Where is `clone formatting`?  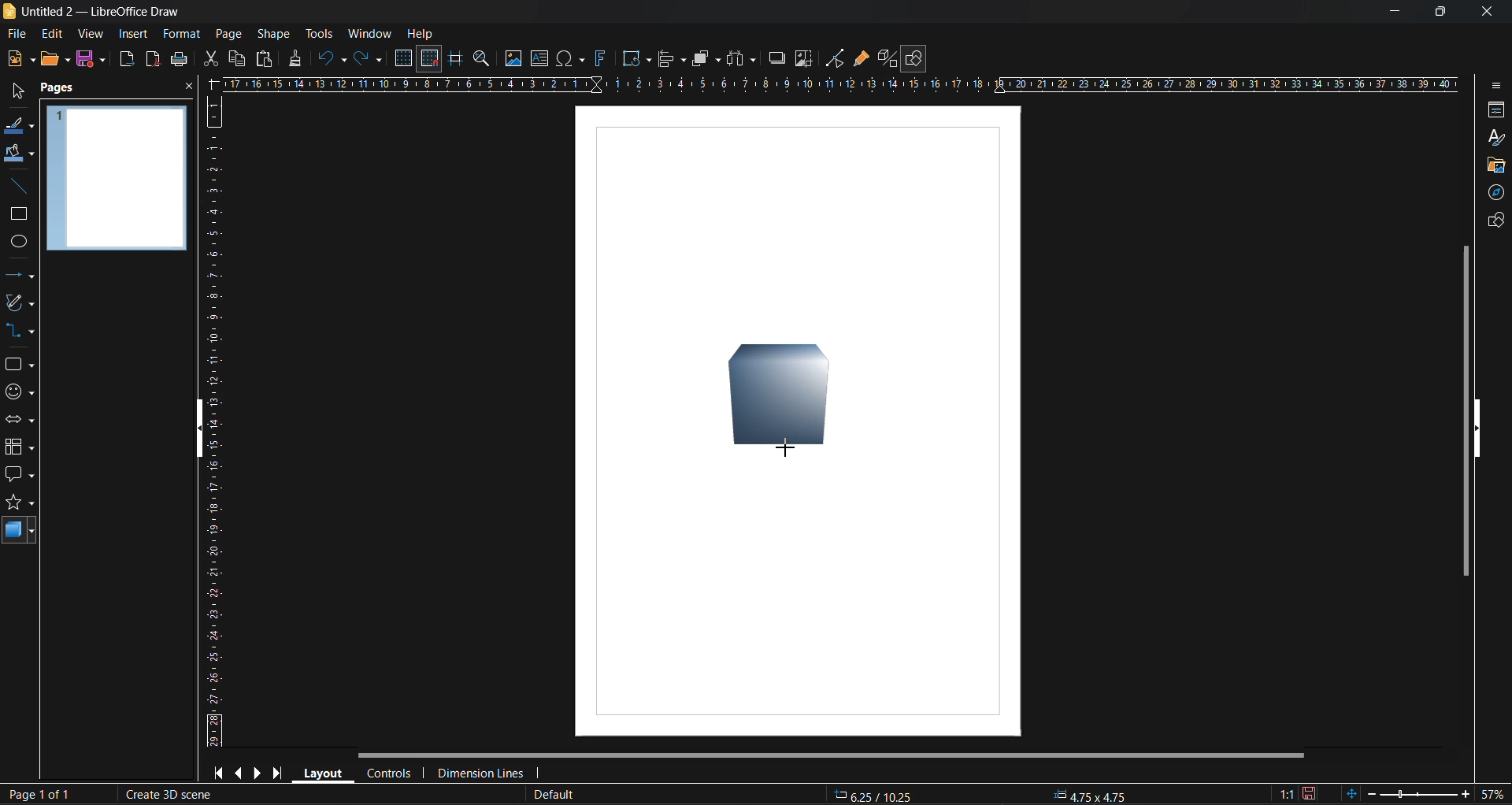
clone formatting is located at coordinates (296, 58).